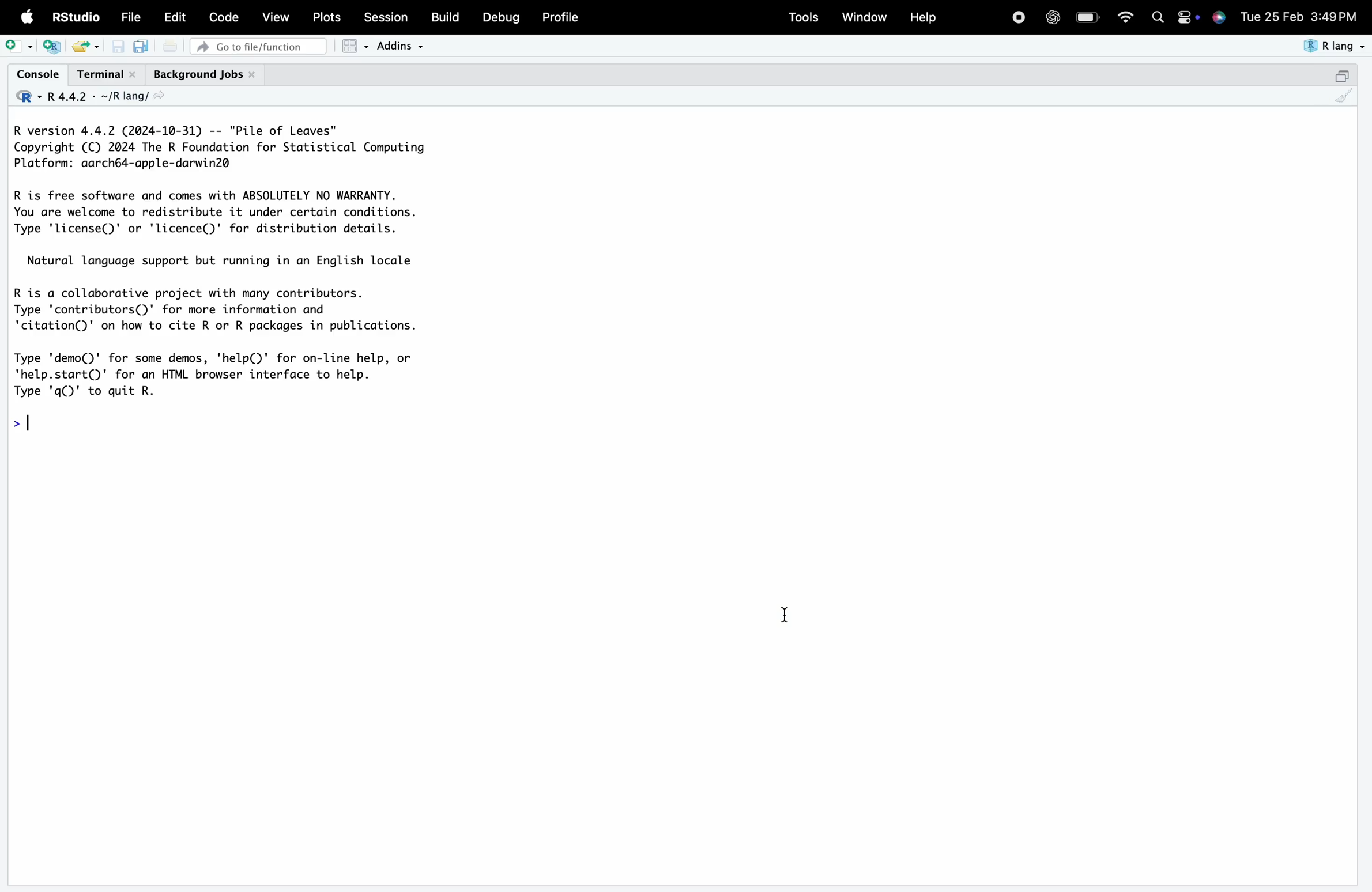  Describe the element at coordinates (170, 46) in the screenshot. I see `print the current file` at that location.